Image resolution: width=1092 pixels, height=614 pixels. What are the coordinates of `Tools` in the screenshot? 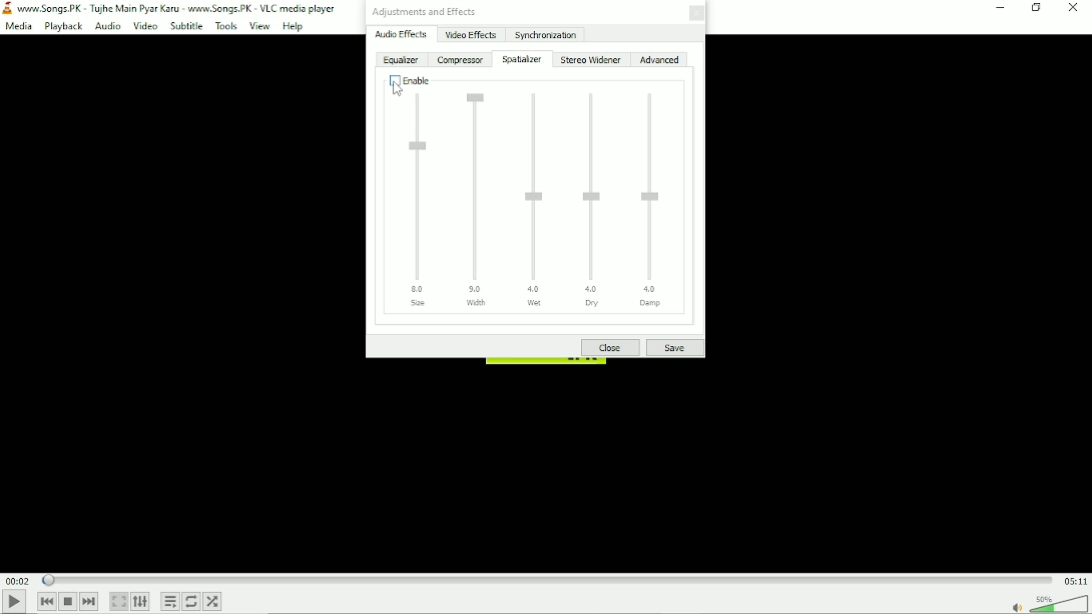 It's located at (226, 27).